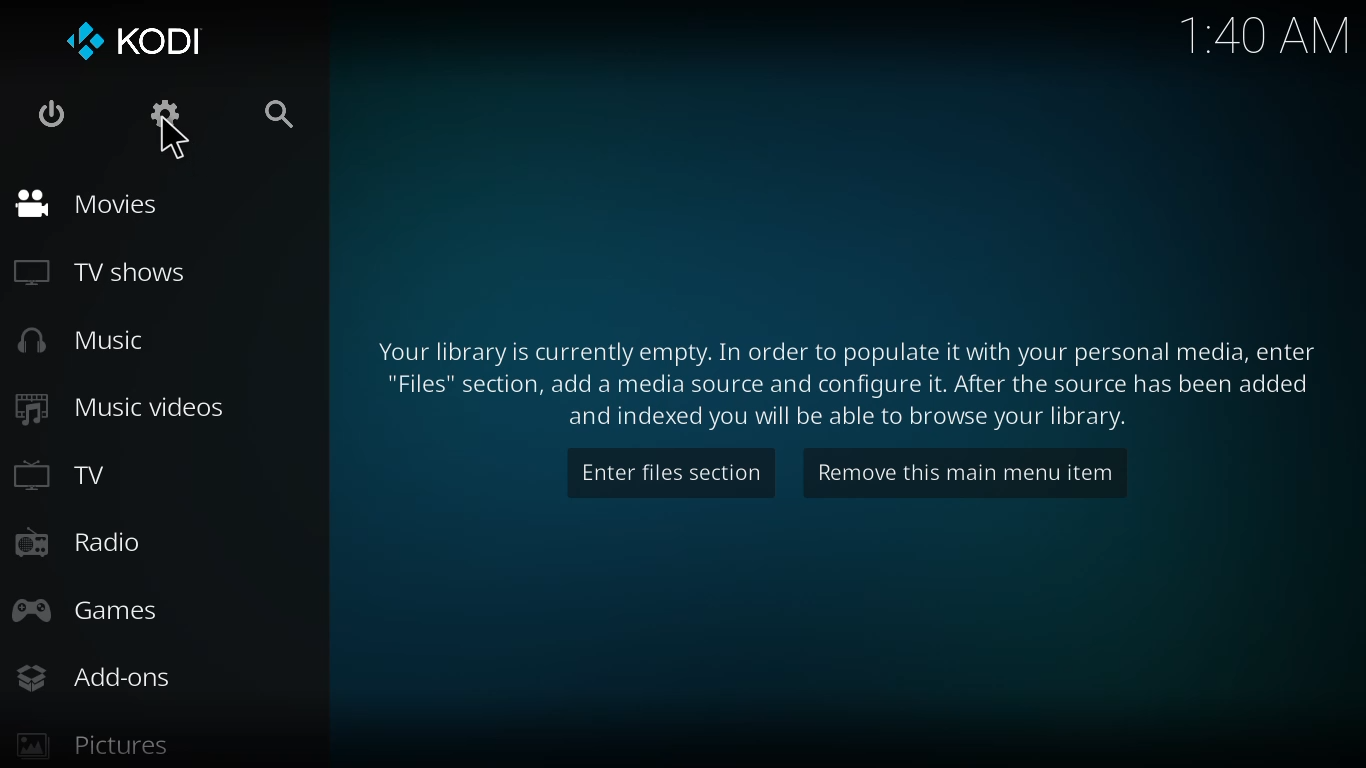  Describe the element at coordinates (172, 116) in the screenshot. I see `settings` at that location.